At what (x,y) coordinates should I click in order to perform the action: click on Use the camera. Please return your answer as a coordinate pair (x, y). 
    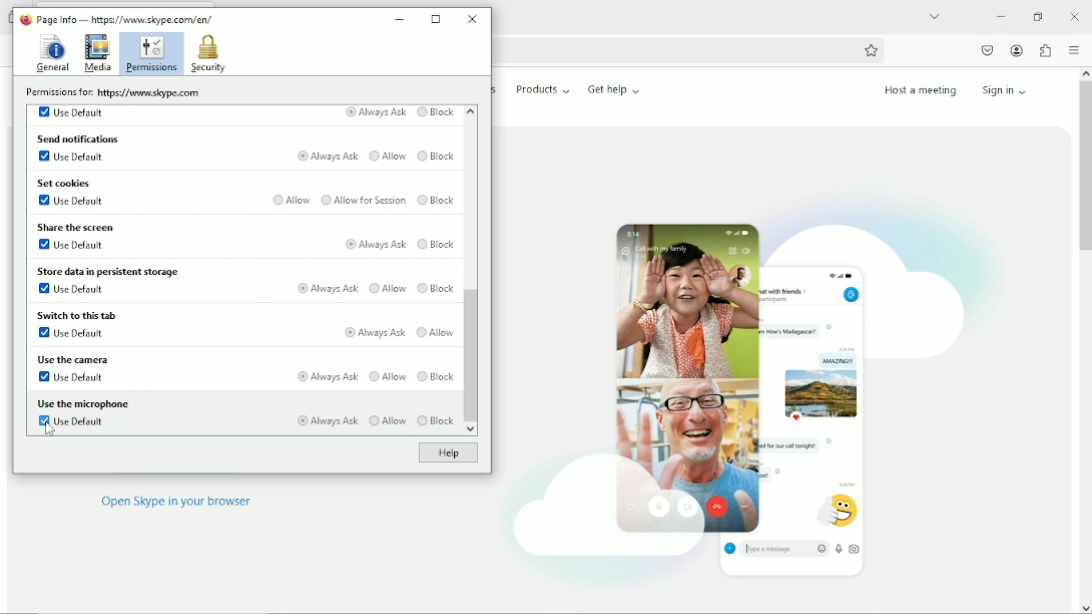
    Looking at the image, I should click on (71, 359).